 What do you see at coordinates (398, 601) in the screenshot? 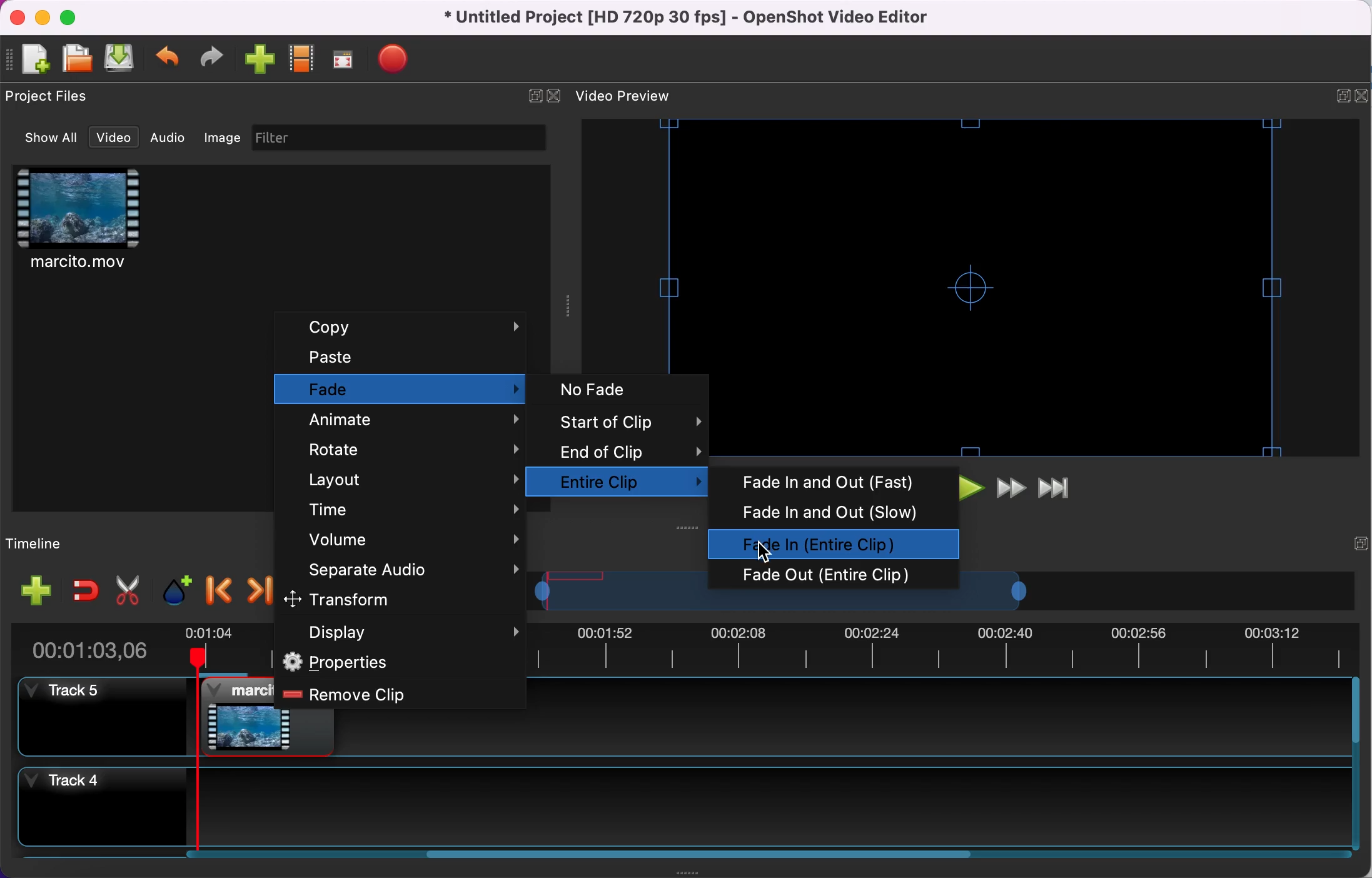
I see `transform` at bounding box center [398, 601].